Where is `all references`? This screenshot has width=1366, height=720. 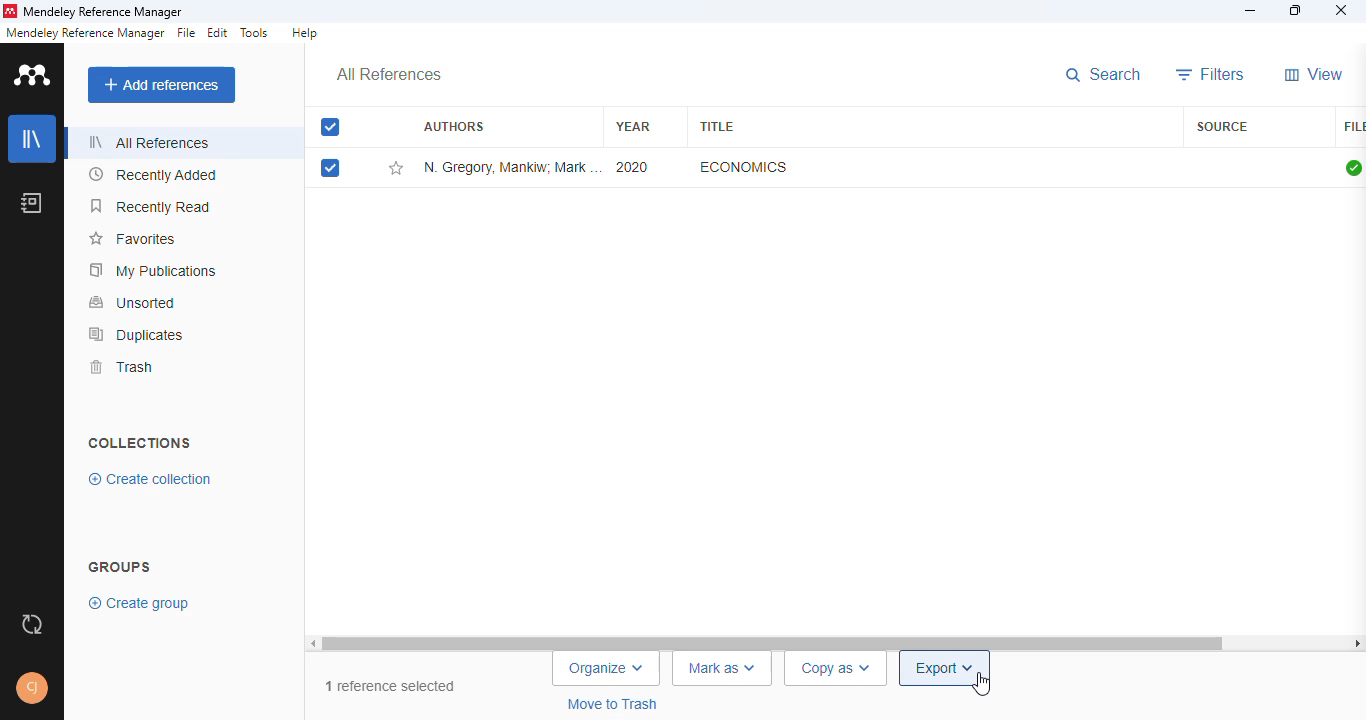 all references is located at coordinates (389, 74).